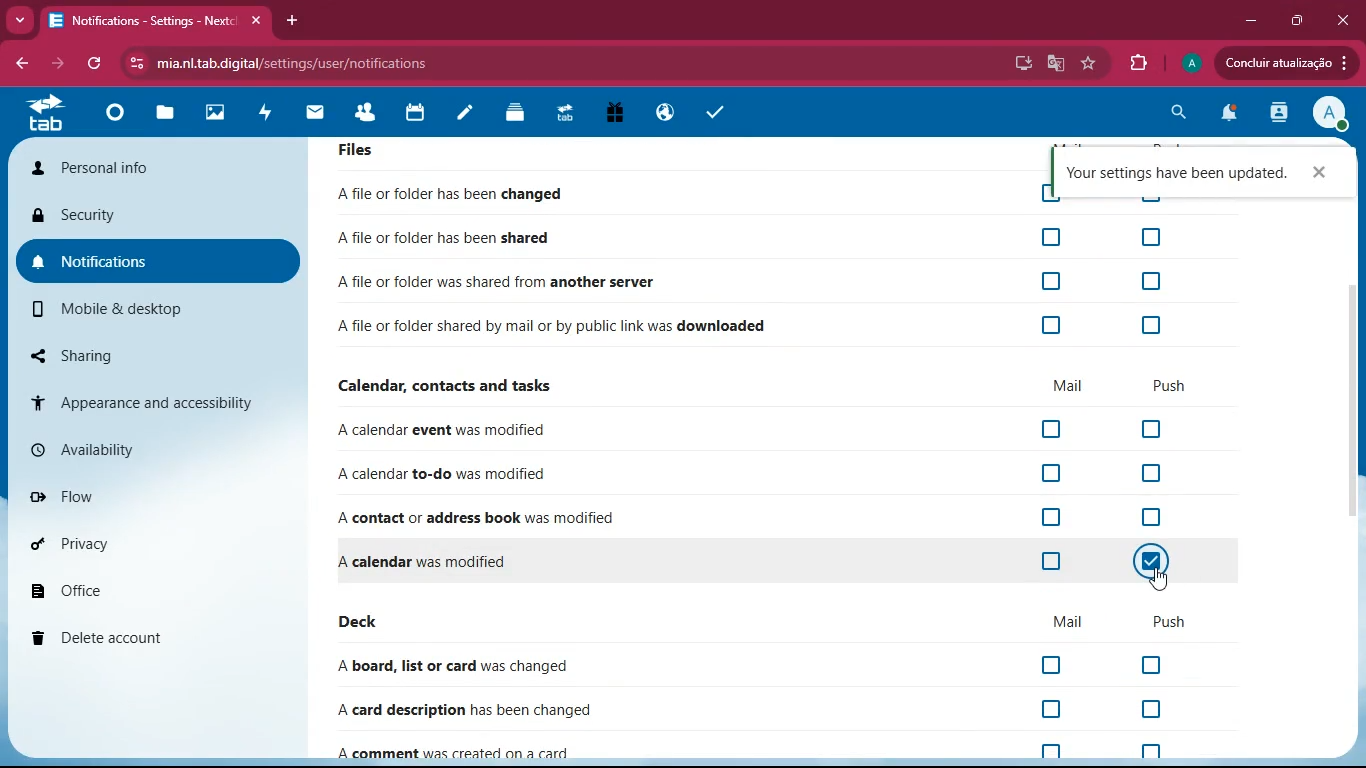  Describe the element at coordinates (1171, 174) in the screenshot. I see `confirmation` at that location.